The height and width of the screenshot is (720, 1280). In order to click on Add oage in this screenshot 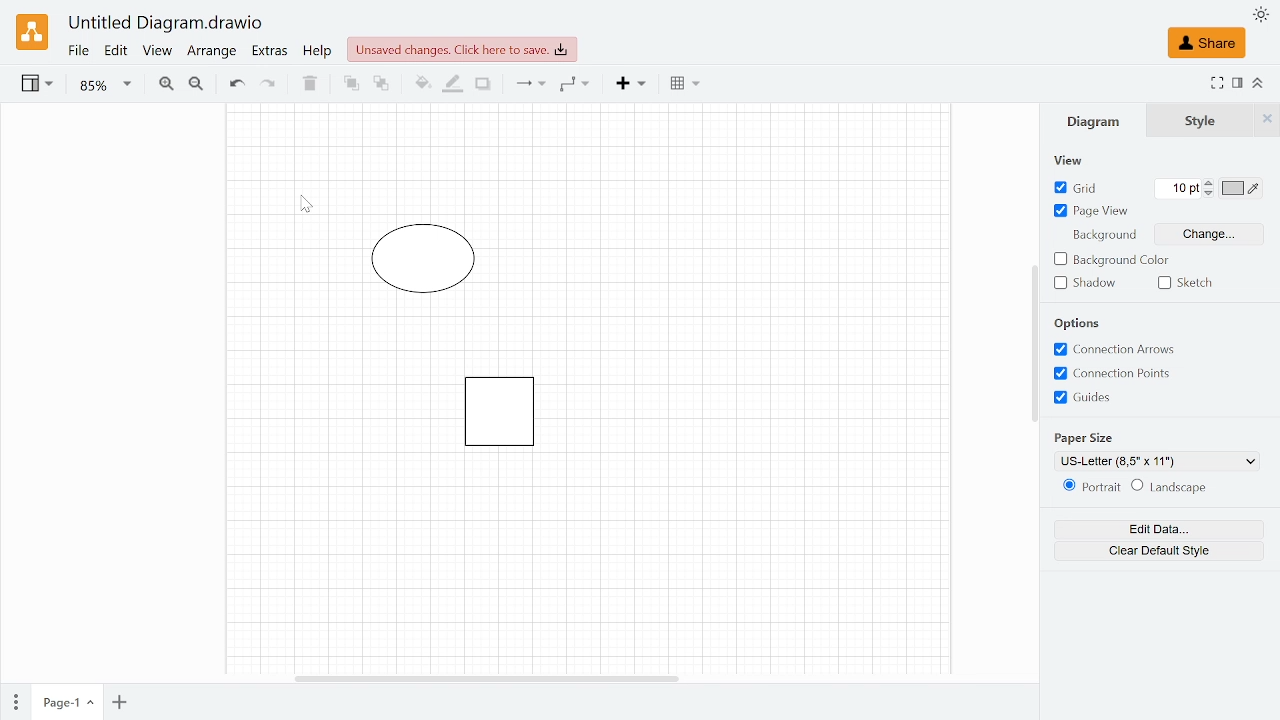, I will do `click(119, 704)`.